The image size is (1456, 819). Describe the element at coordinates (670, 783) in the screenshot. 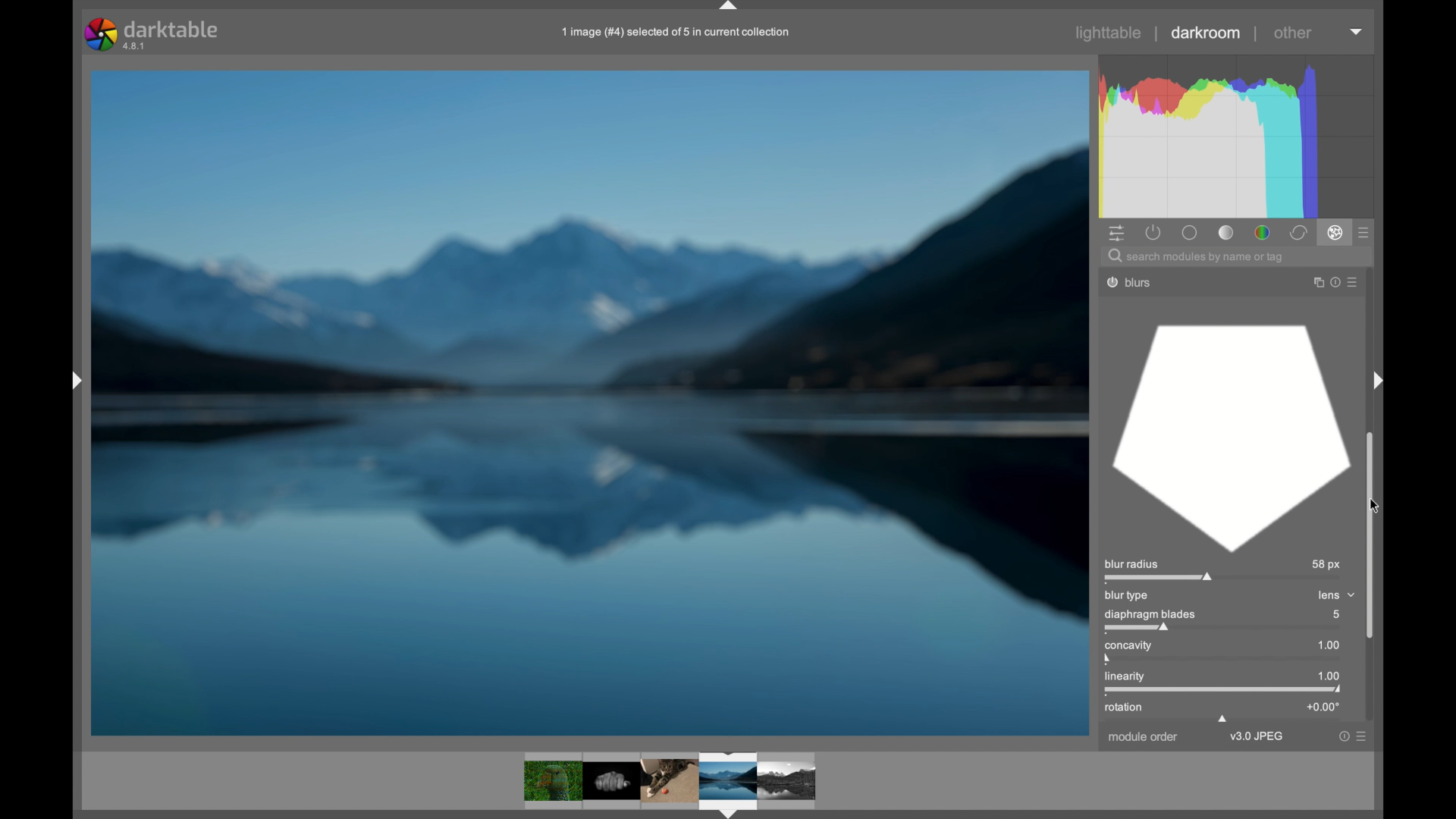

I see `photos` at that location.